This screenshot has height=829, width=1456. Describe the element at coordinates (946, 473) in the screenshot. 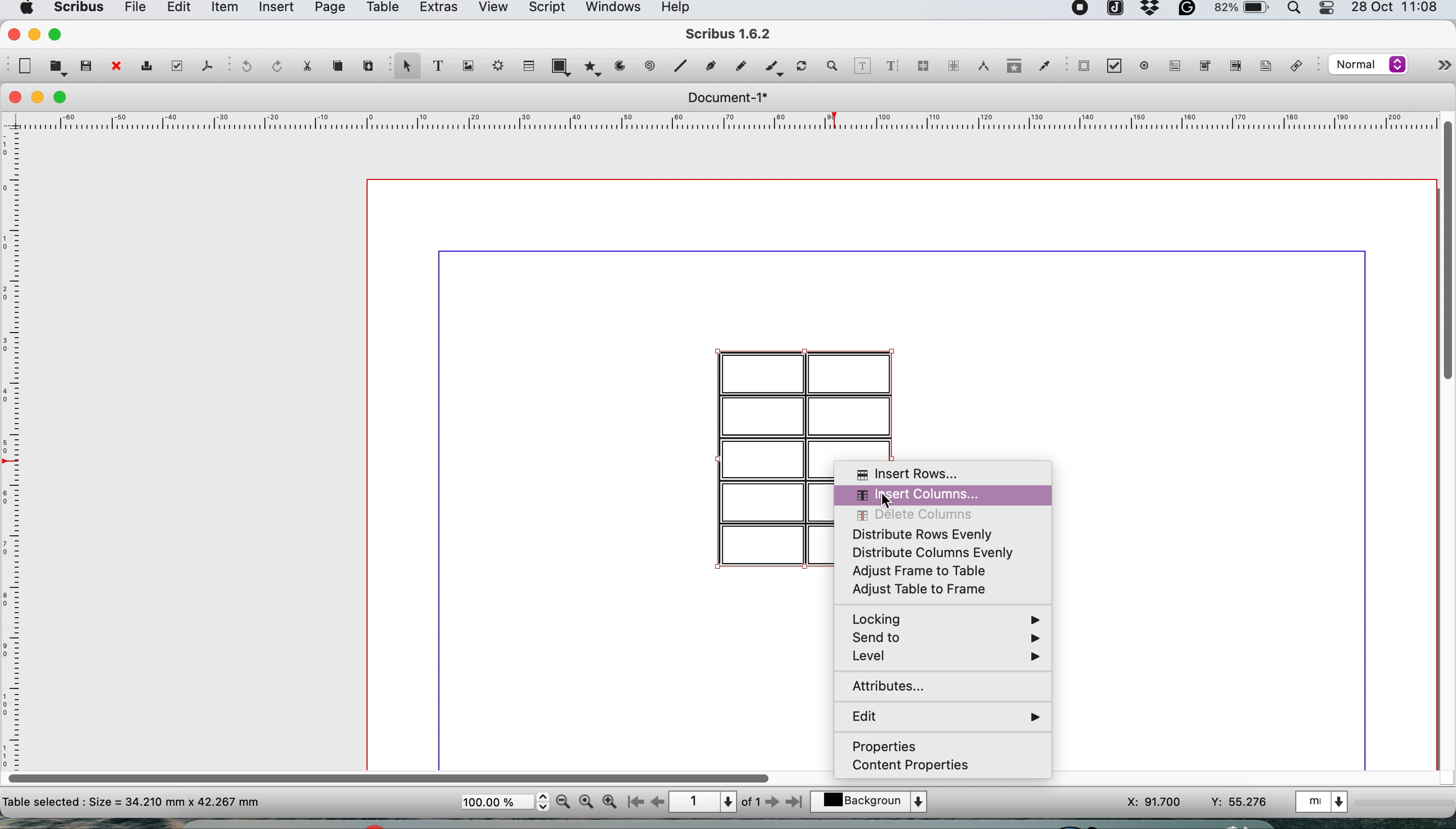

I see `insert rows` at that location.